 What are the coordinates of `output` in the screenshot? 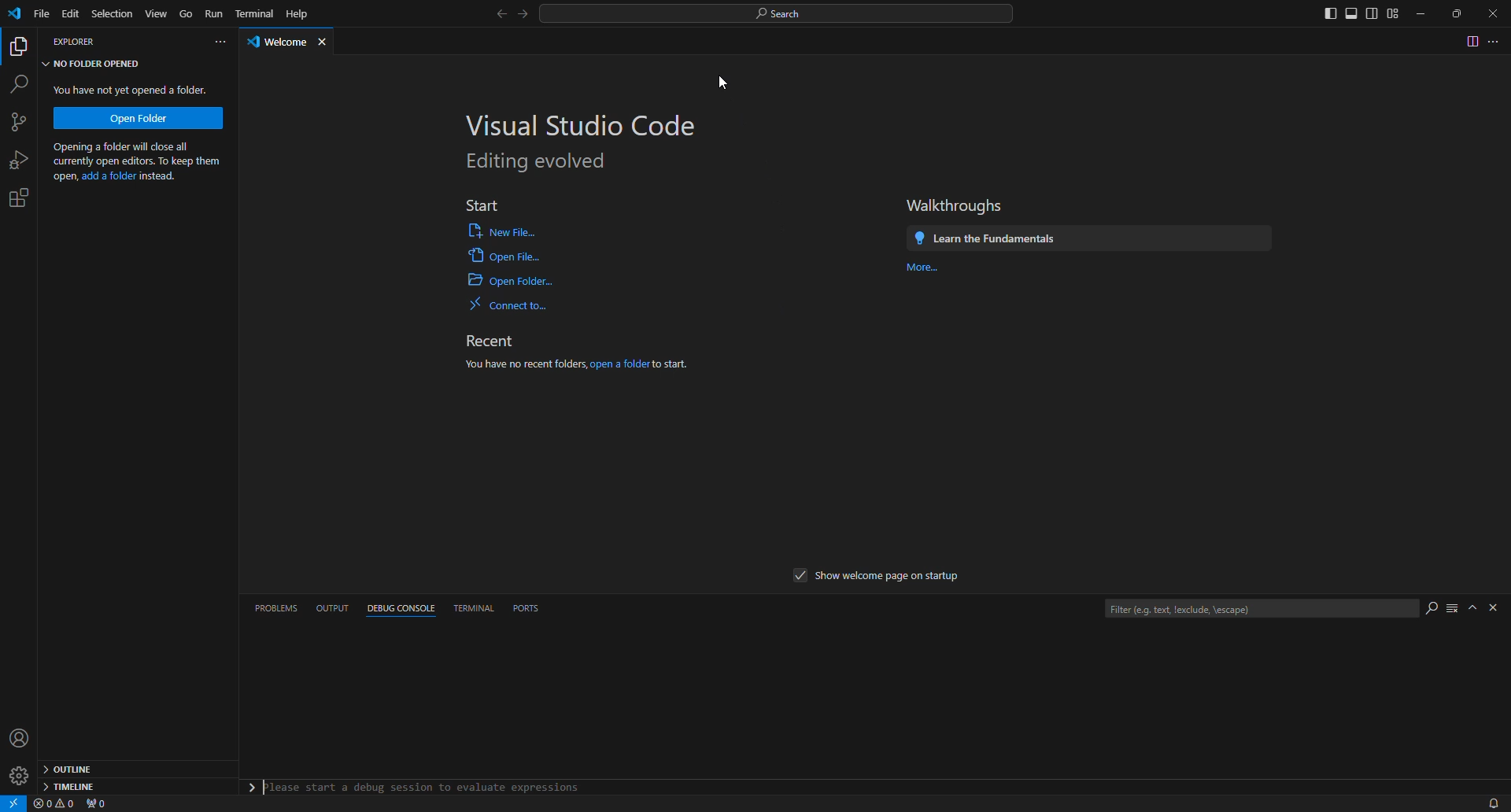 It's located at (334, 607).